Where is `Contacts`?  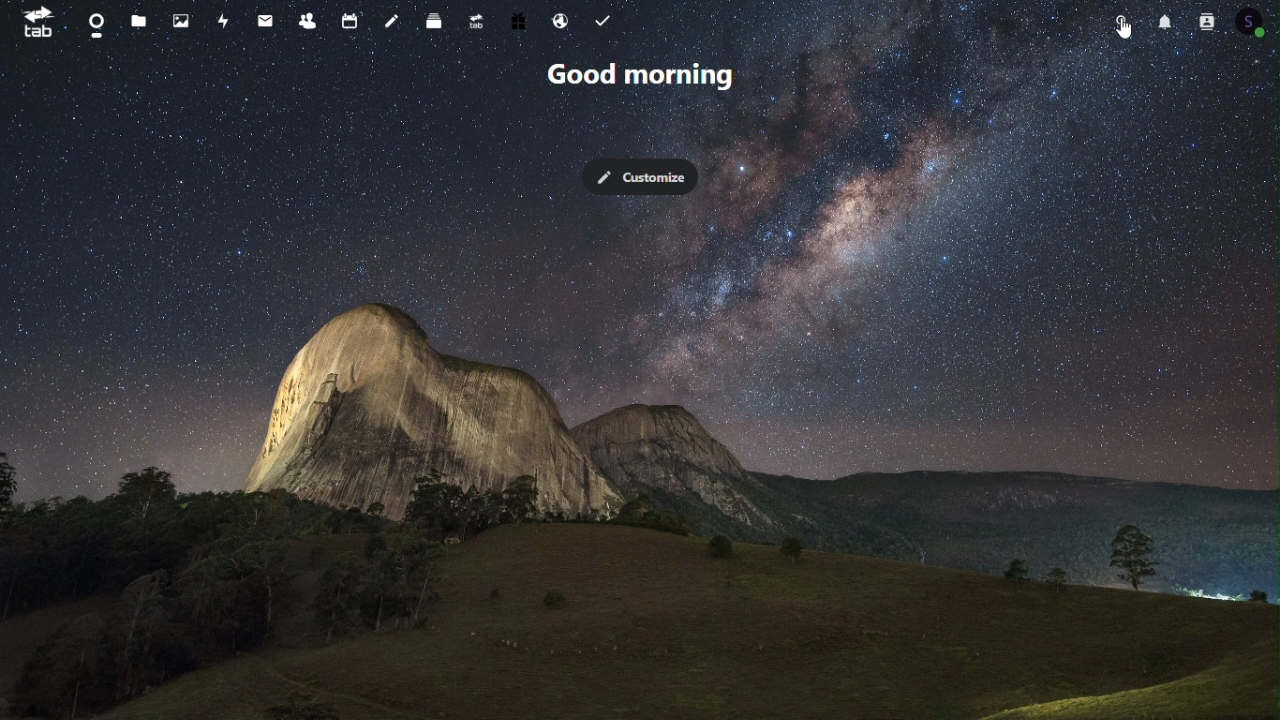
Contacts is located at coordinates (1204, 20).